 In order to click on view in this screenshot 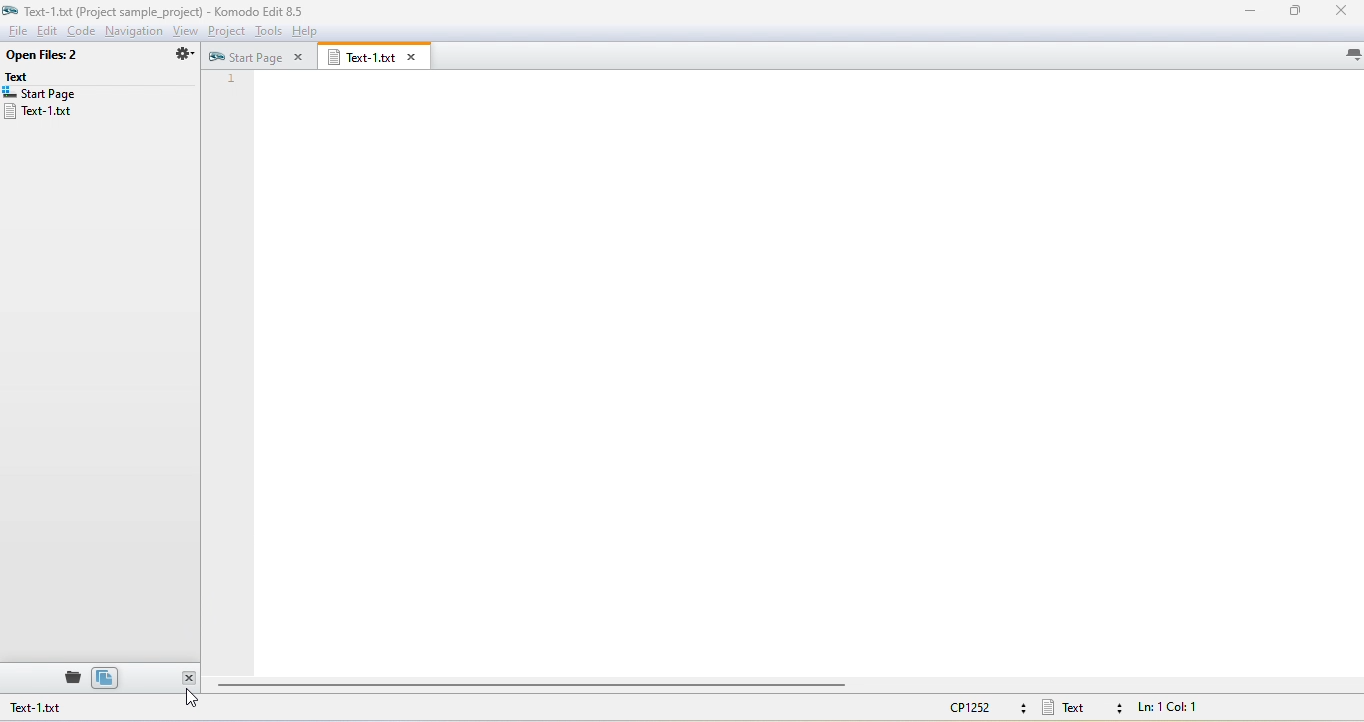, I will do `click(185, 31)`.